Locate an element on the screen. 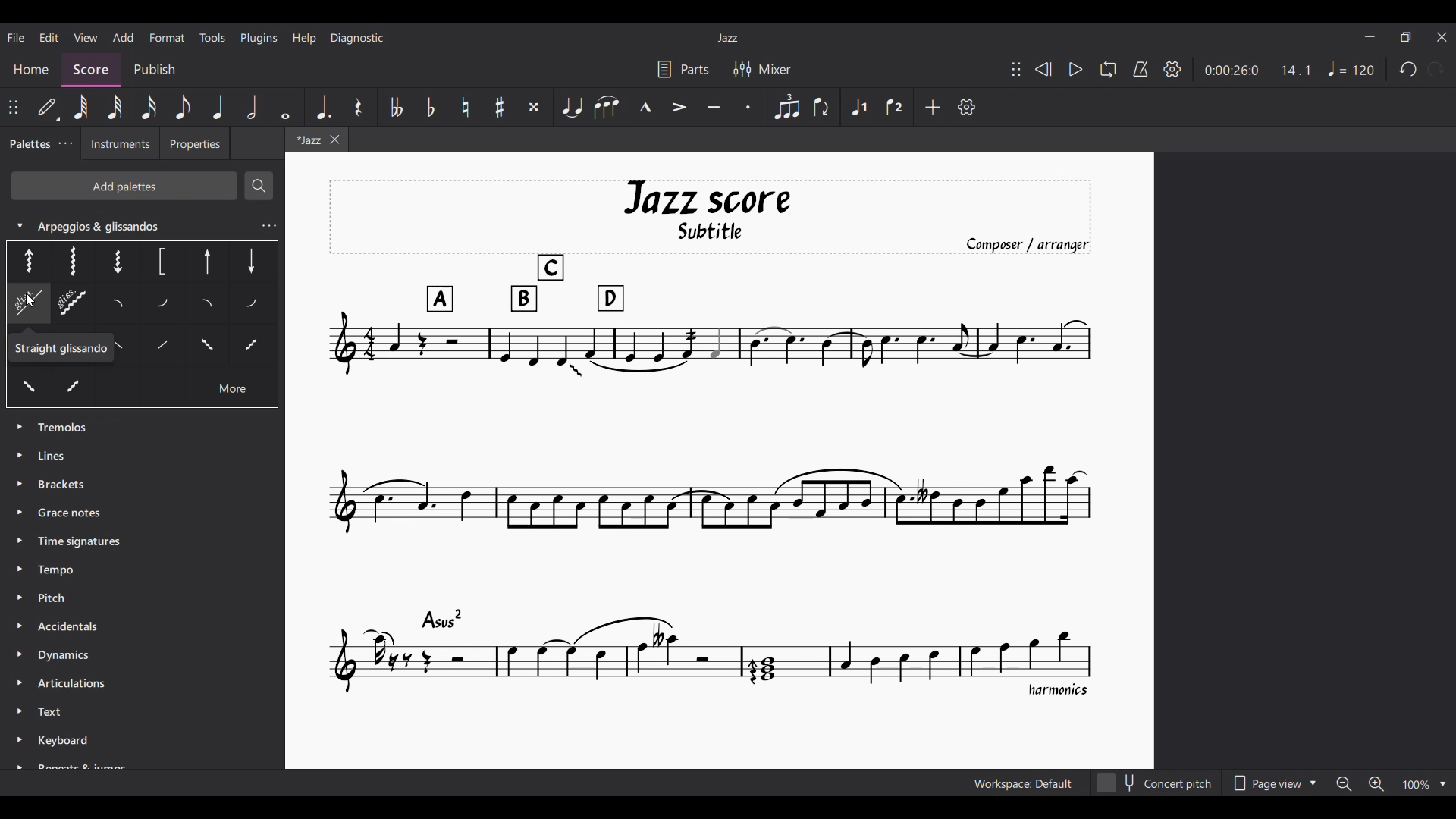  Diagnostic menu is located at coordinates (357, 38).